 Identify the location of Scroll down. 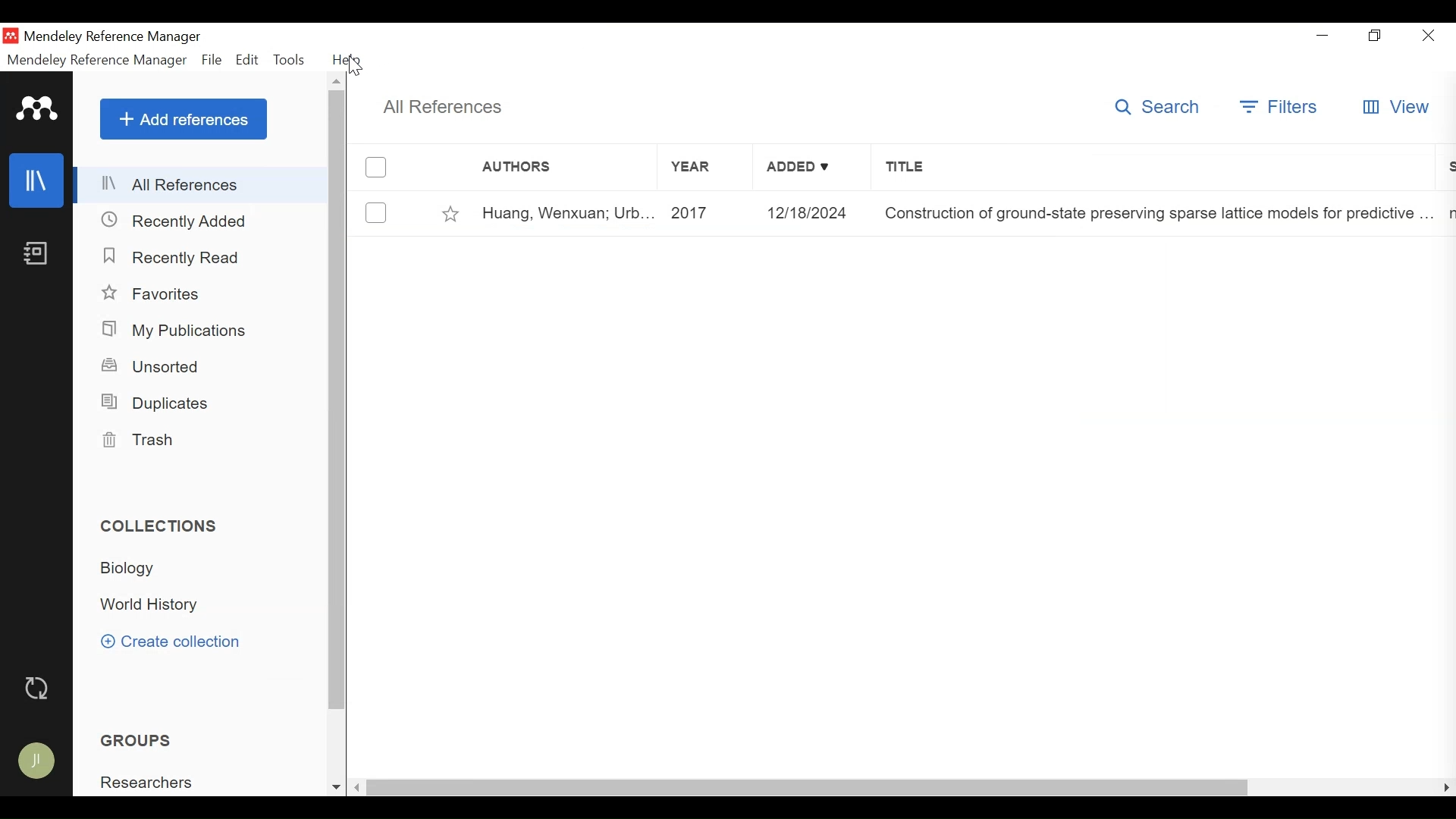
(333, 787).